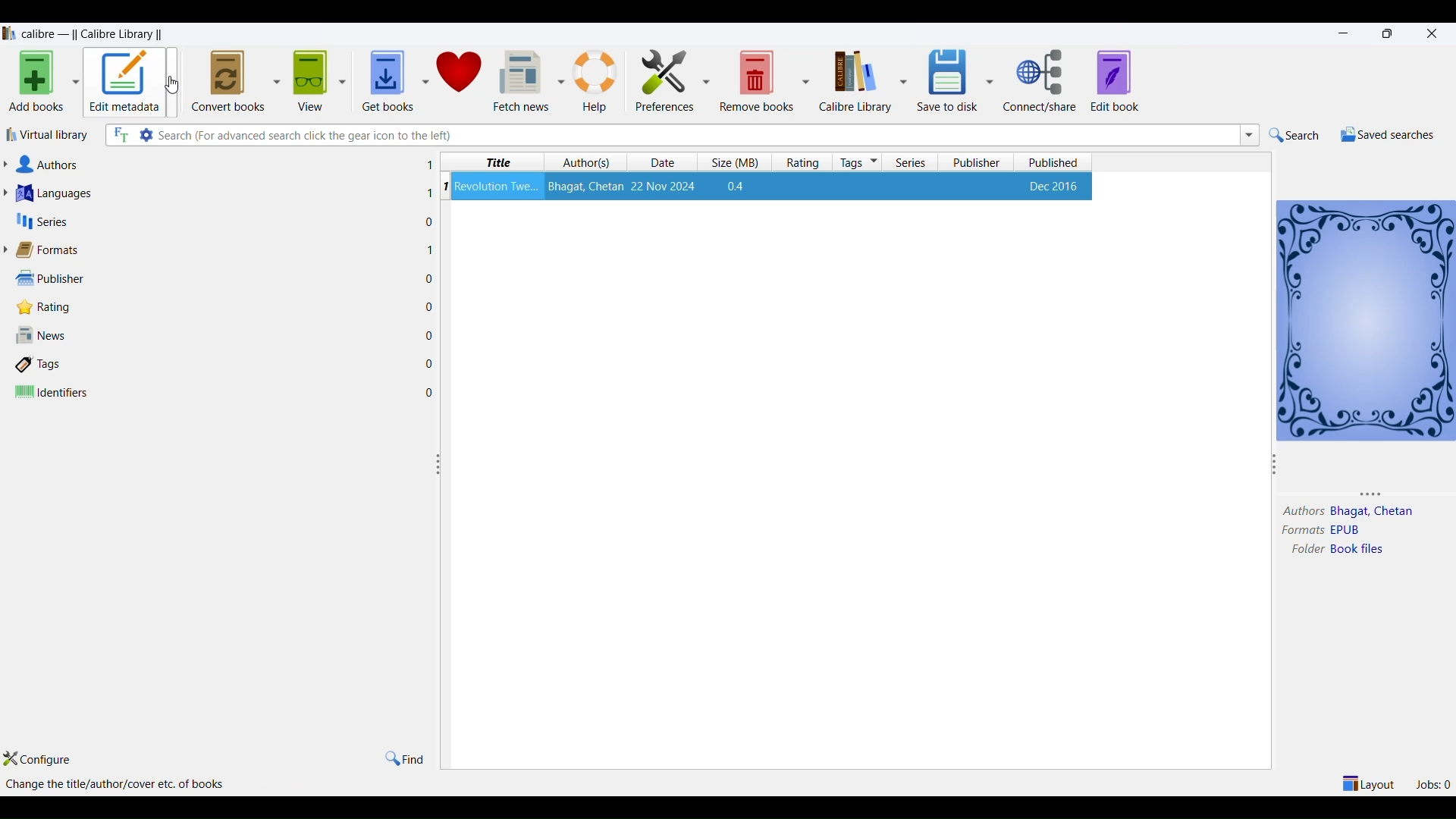 This screenshot has height=819, width=1456. Describe the element at coordinates (1305, 550) in the screenshot. I see `folder` at that location.